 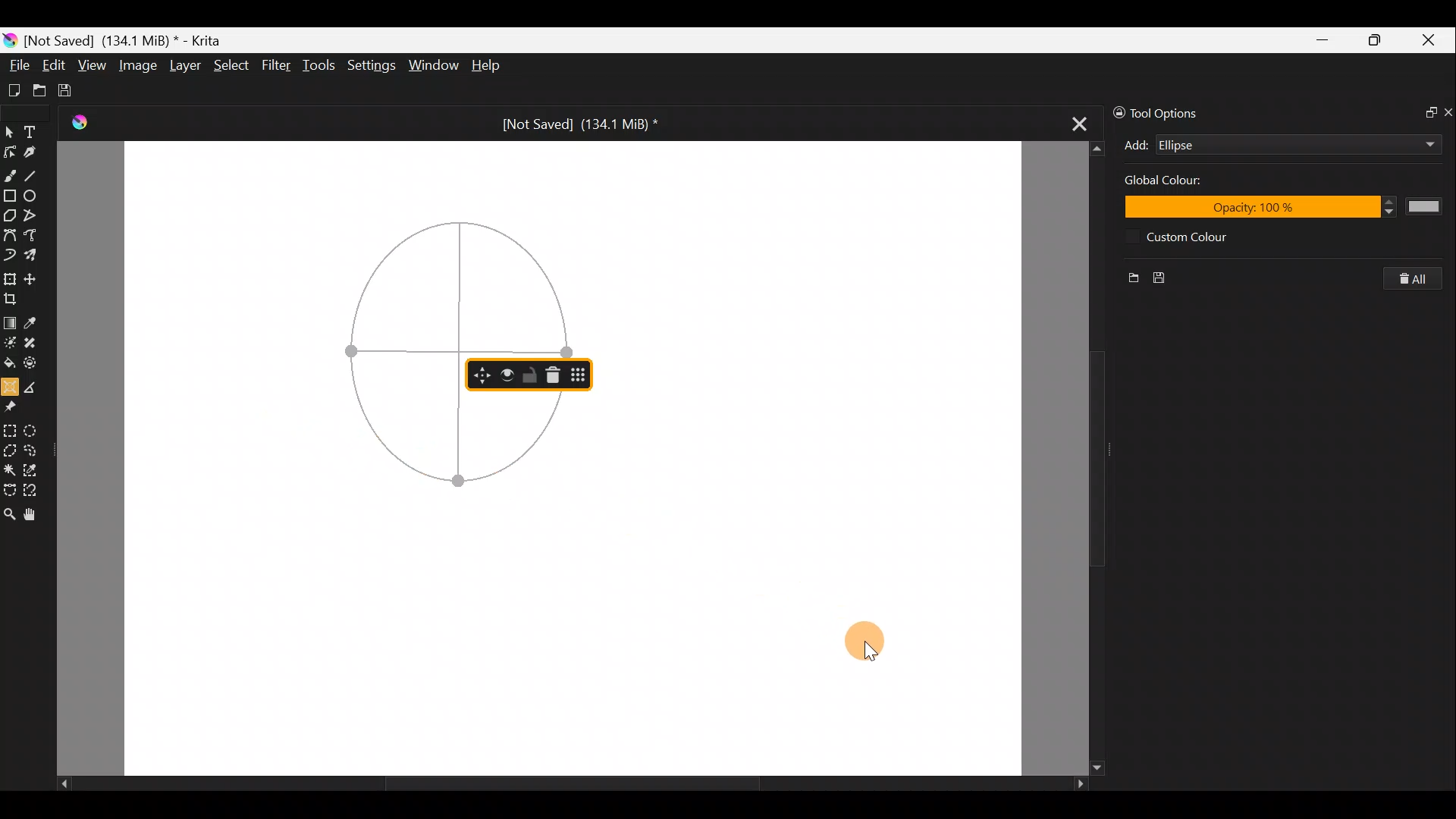 I want to click on Lock/unlock, so click(x=529, y=375).